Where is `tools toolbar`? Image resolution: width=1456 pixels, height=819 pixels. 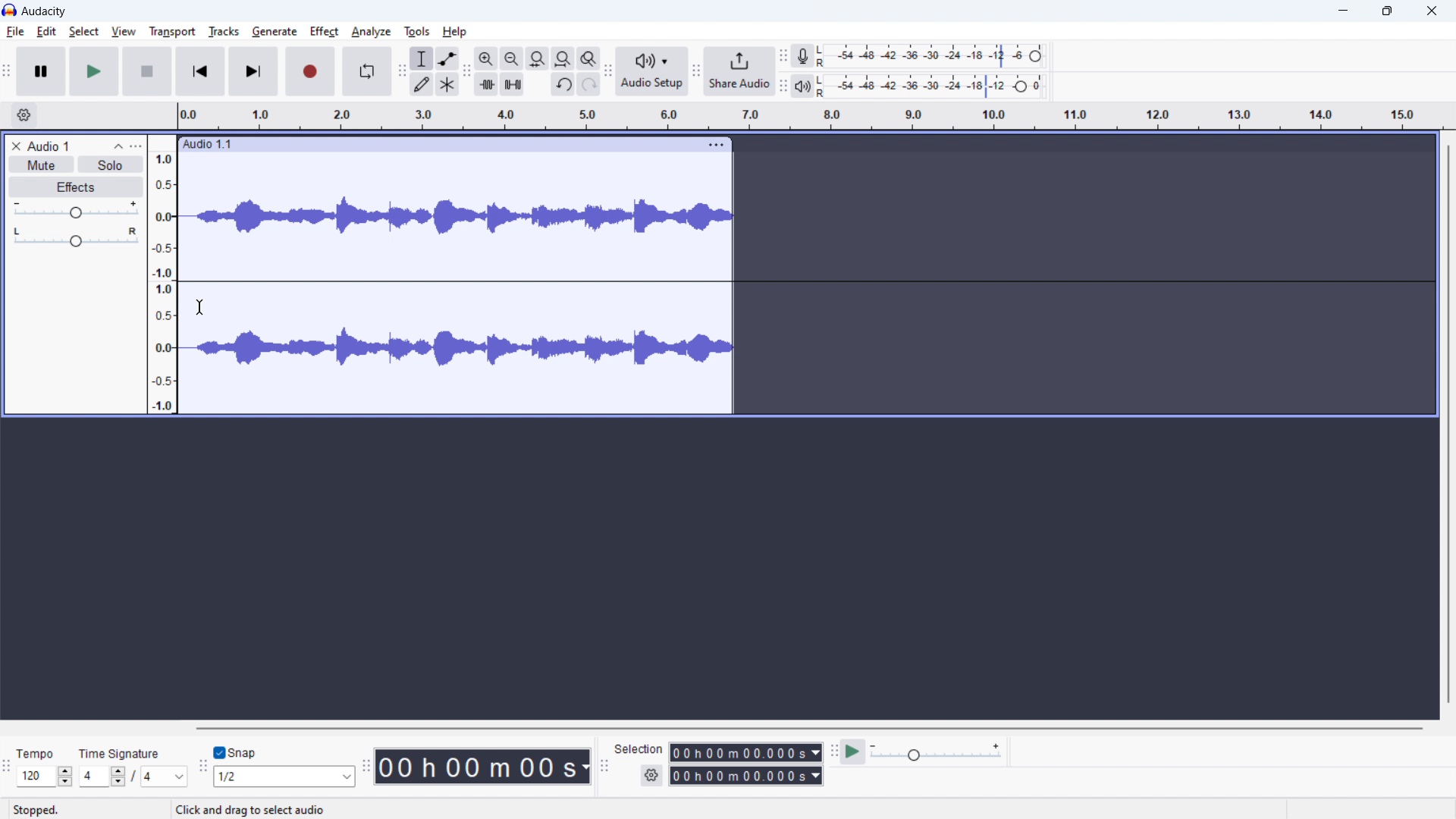
tools toolbar is located at coordinates (402, 72).